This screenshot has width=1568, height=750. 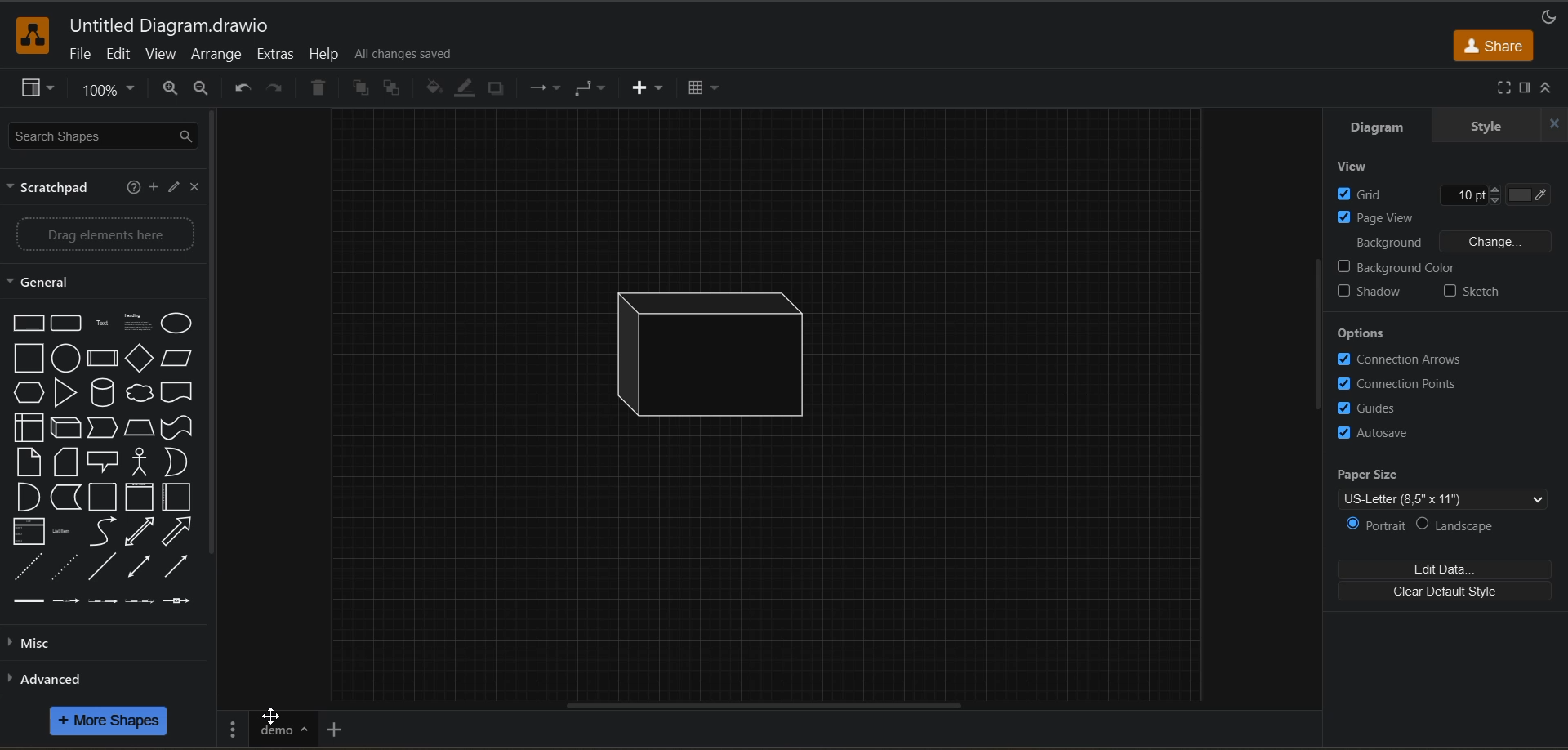 I want to click on app logo, so click(x=33, y=35).